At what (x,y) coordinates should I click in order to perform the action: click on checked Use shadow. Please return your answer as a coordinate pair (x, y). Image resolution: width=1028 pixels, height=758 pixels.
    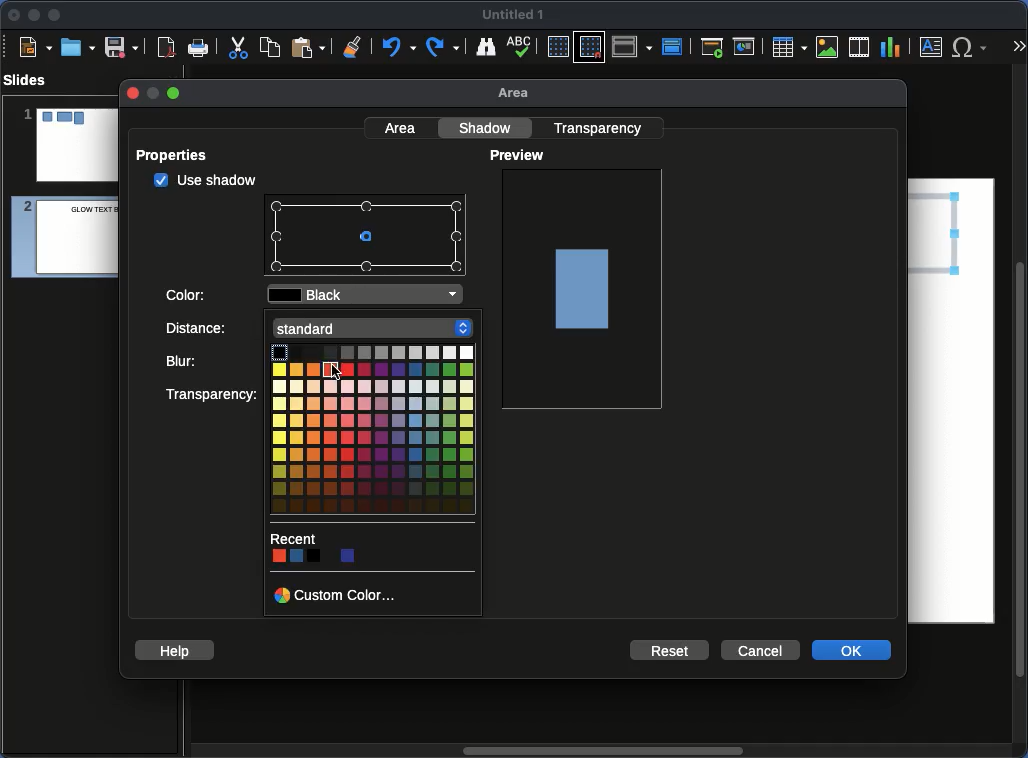
    Looking at the image, I should click on (206, 180).